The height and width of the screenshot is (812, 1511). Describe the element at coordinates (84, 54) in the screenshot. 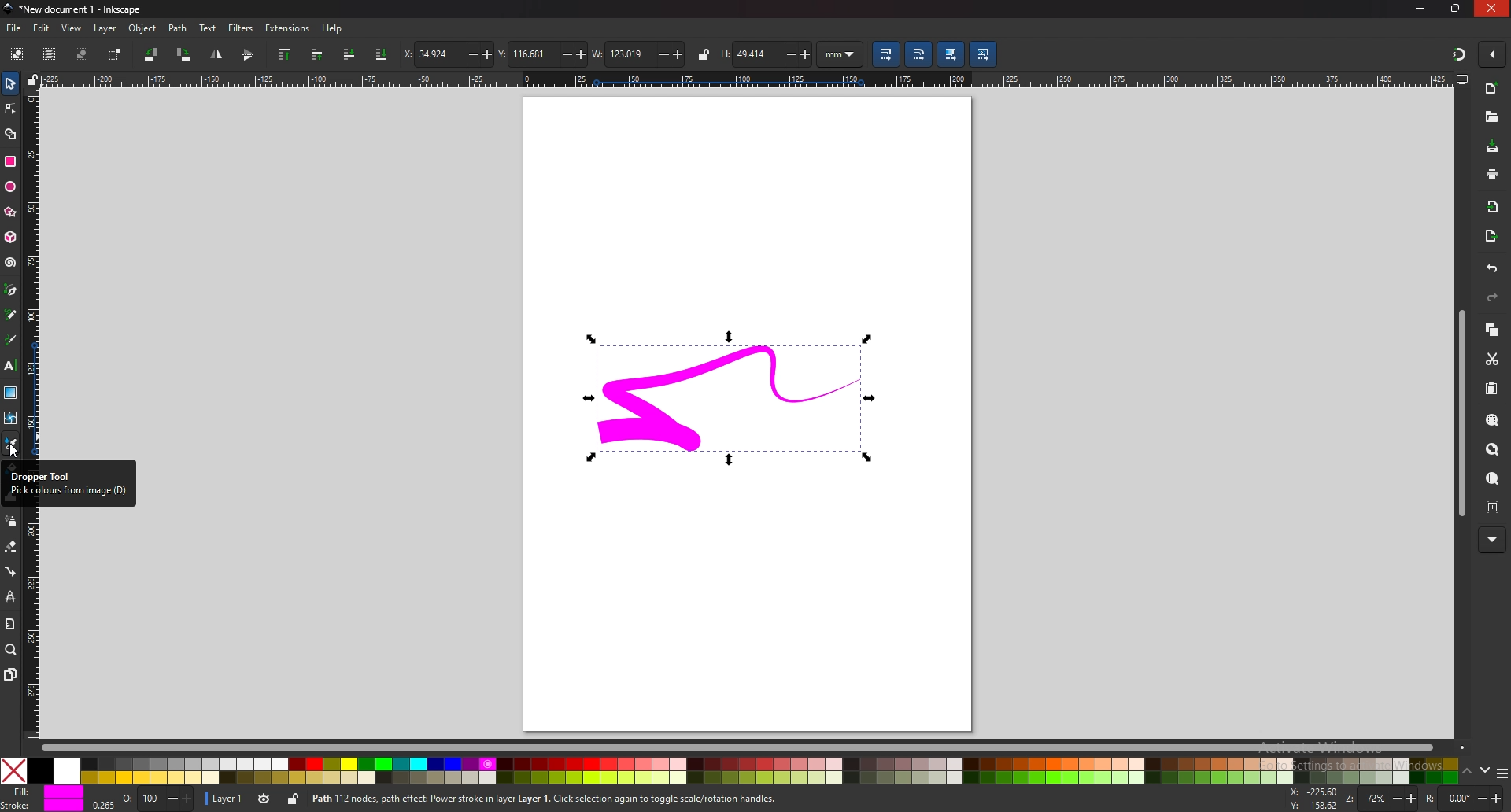

I see `deselect` at that location.